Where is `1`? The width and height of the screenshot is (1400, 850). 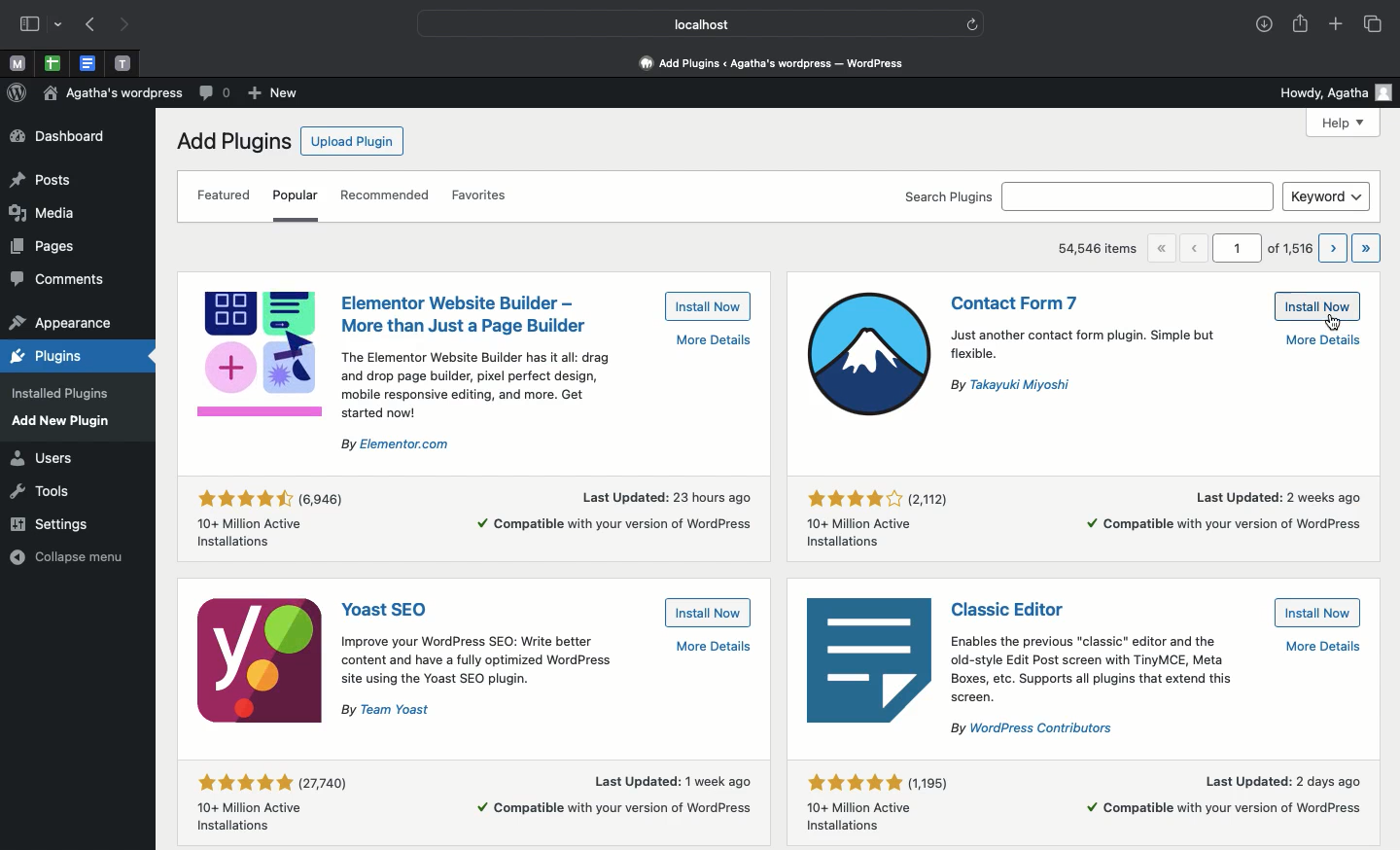
1 is located at coordinates (1236, 249).